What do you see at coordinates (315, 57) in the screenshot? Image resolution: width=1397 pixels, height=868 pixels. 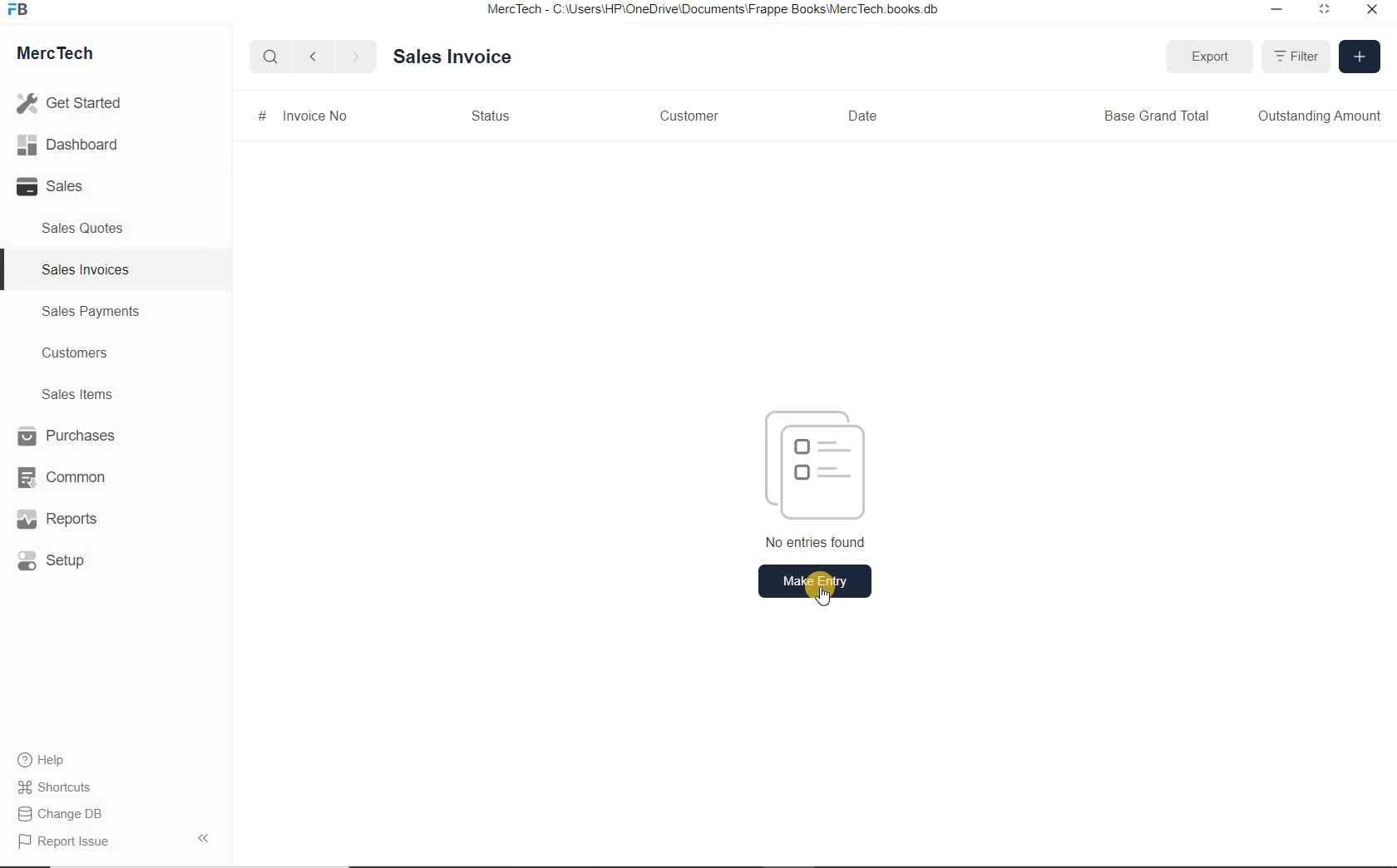 I see `Go back` at bounding box center [315, 57].